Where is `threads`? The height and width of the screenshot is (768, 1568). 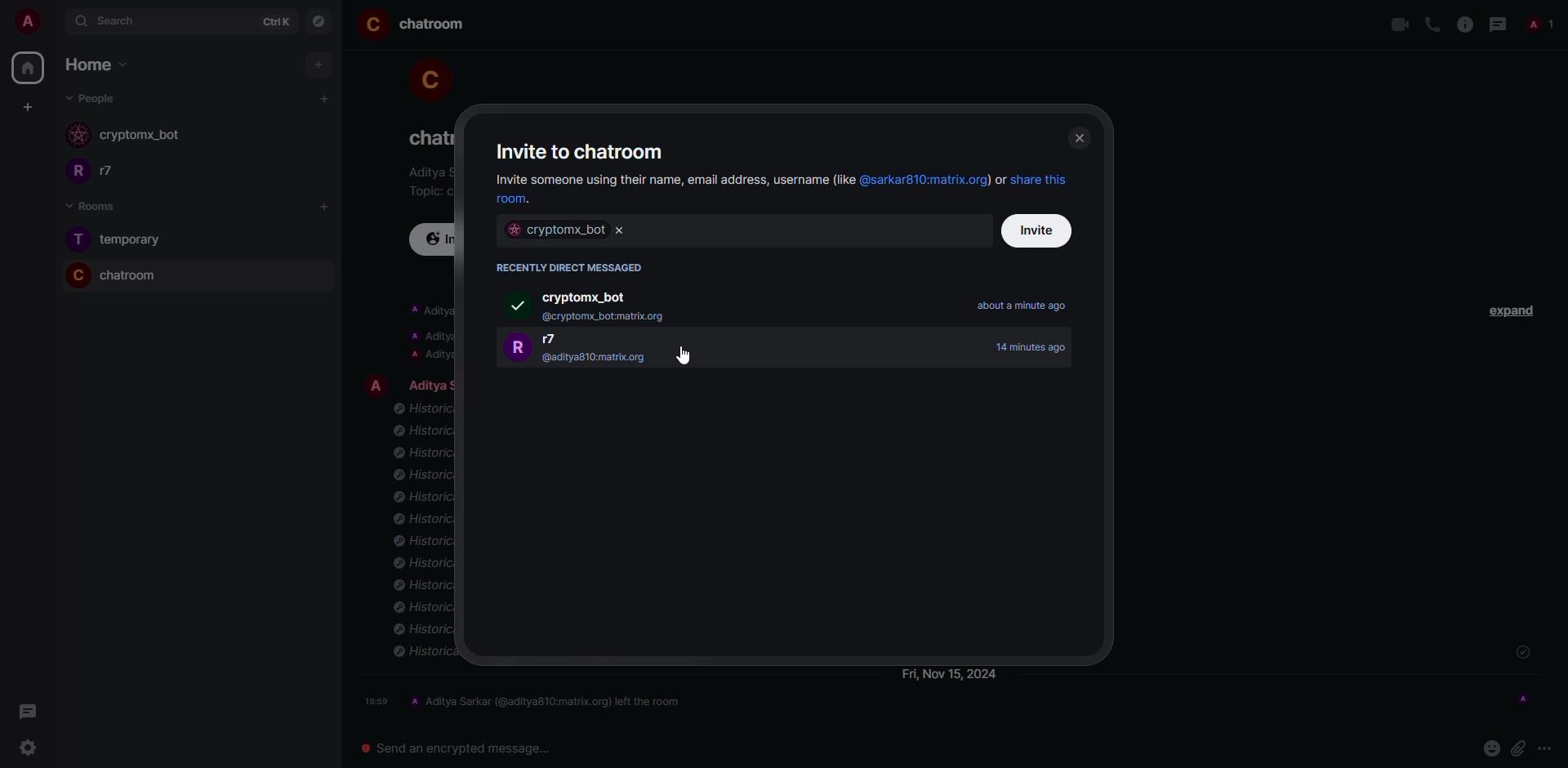
threads is located at coordinates (1497, 25).